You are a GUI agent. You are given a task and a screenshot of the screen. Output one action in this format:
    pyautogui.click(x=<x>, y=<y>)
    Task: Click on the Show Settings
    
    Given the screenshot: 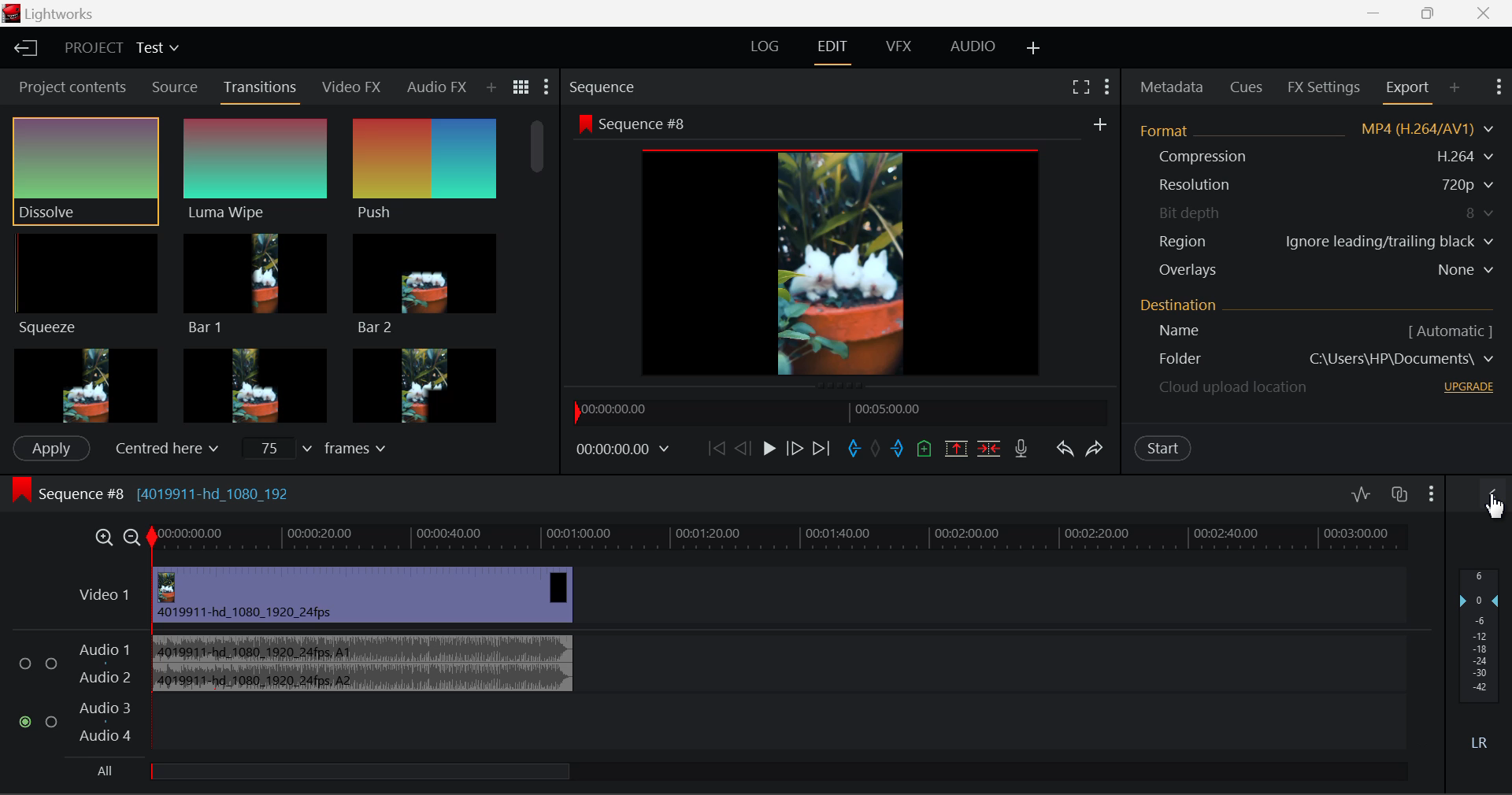 What is the action you would take?
    pyautogui.click(x=547, y=88)
    